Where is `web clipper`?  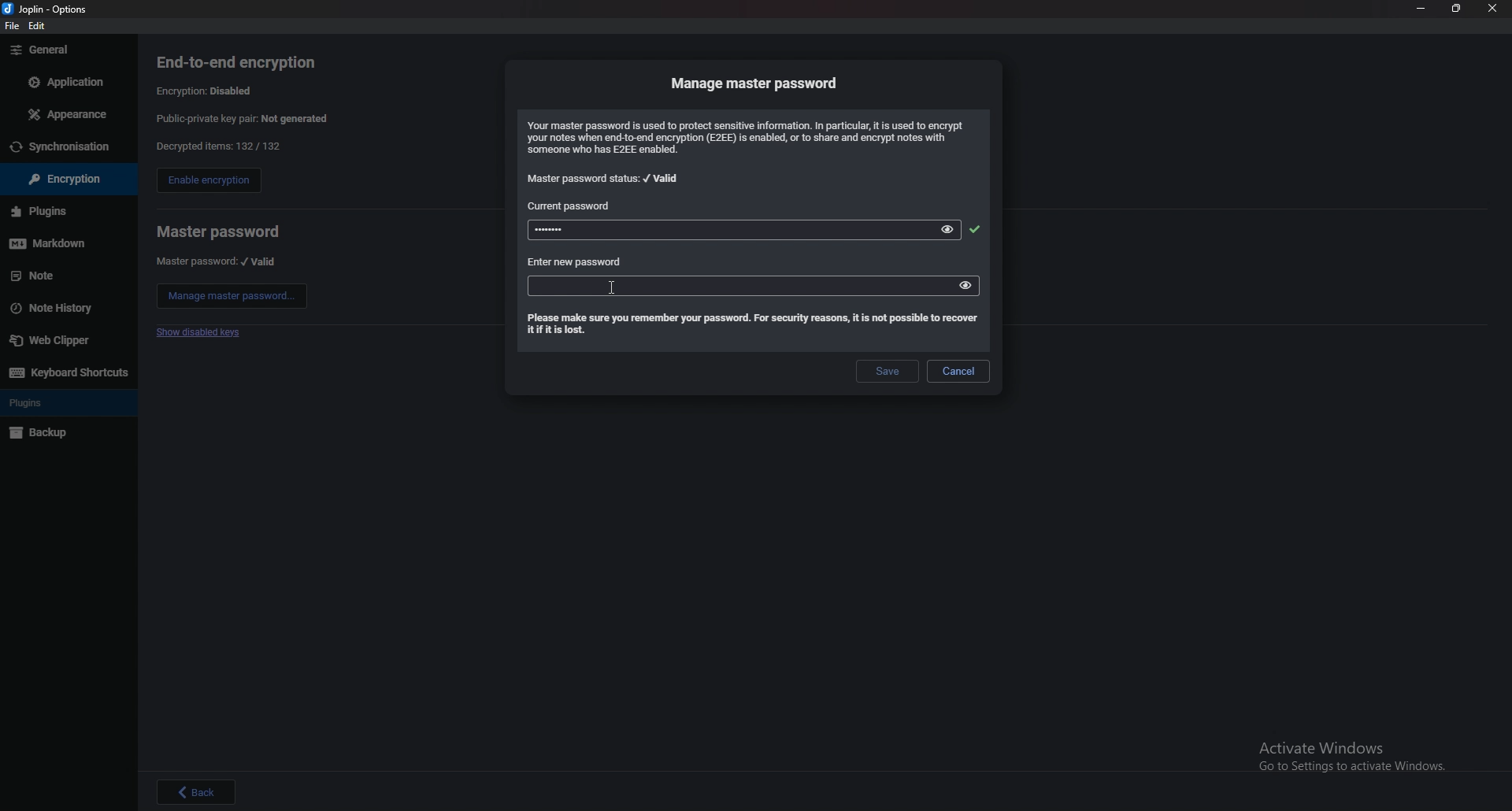 web clipper is located at coordinates (68, 339).